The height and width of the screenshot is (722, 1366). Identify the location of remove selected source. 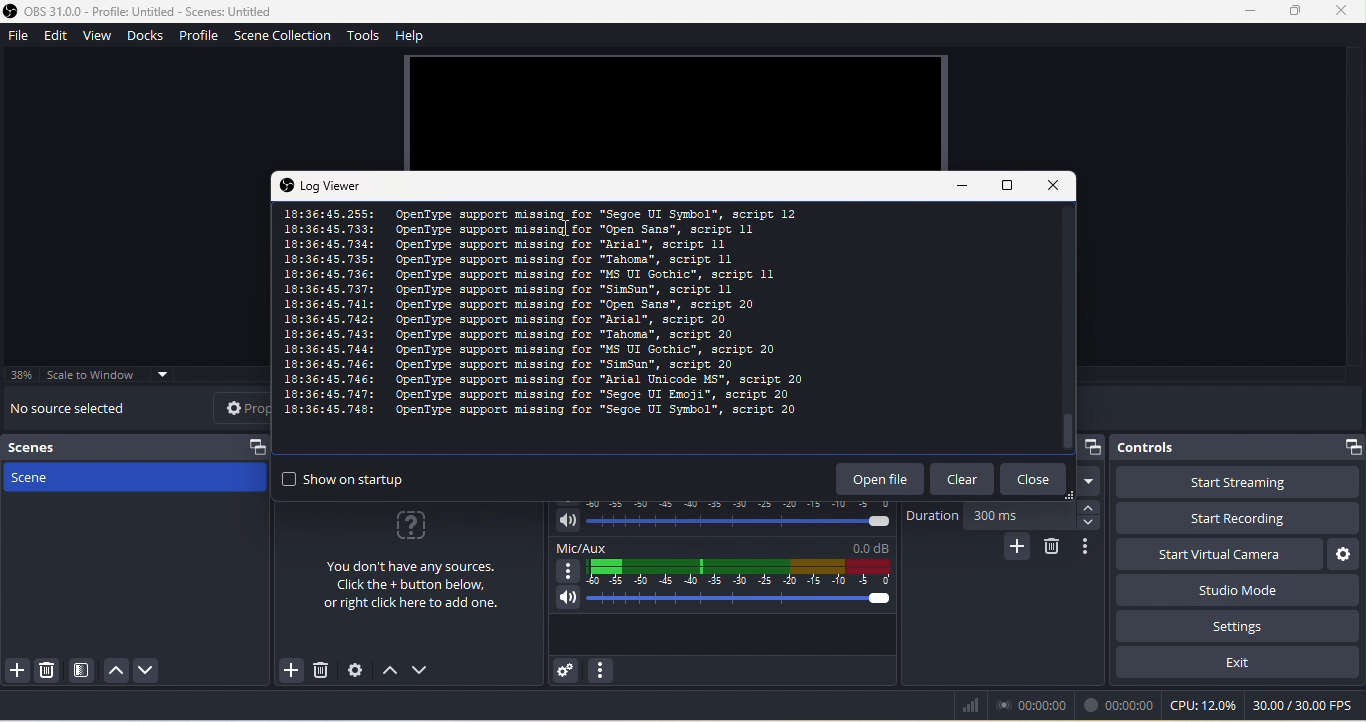
(321, 671).